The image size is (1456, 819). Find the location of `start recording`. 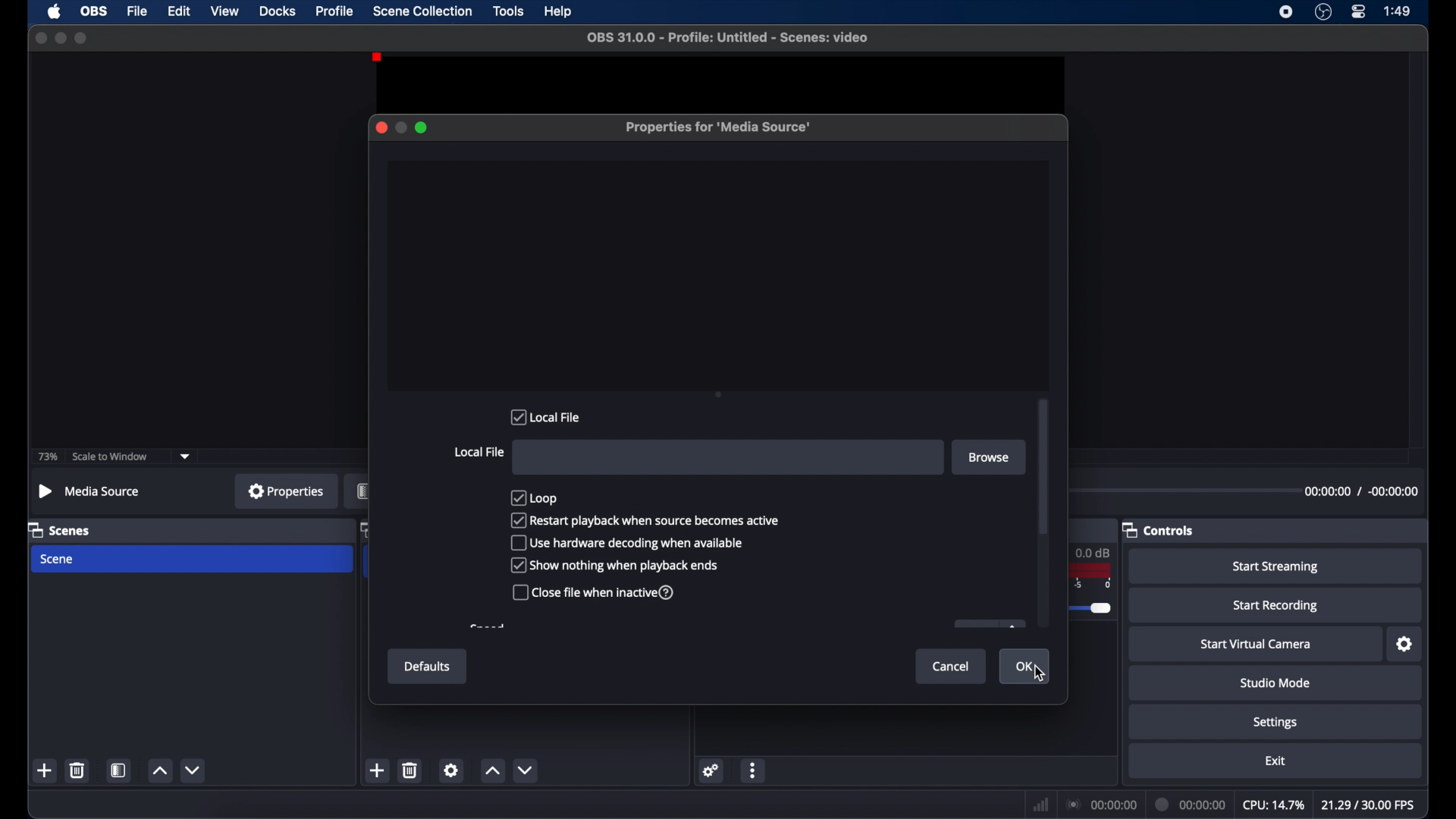

start recording is located at coordinates (1277, 605).